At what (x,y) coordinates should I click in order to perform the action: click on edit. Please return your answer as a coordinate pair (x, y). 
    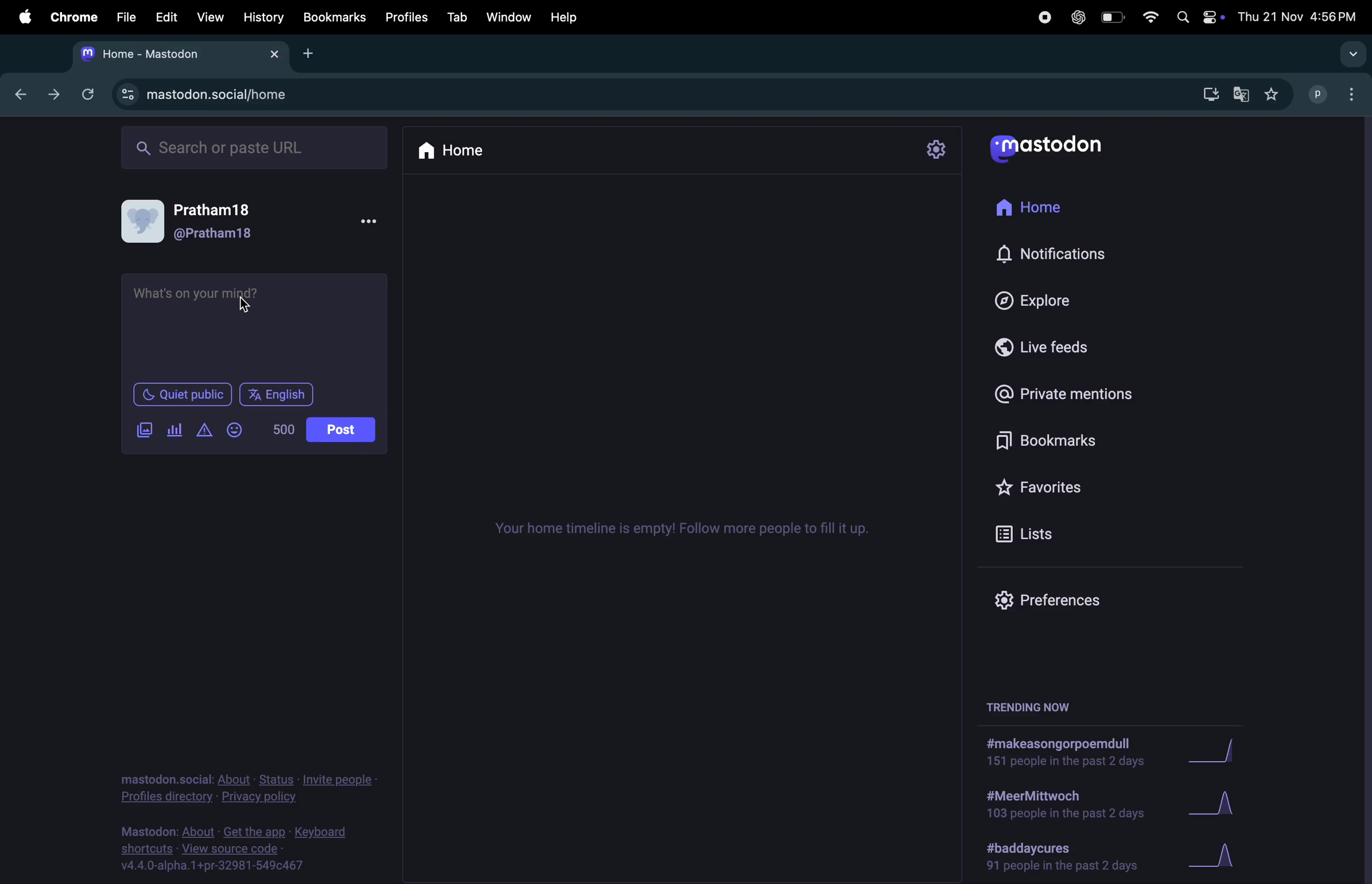
    Looking at the image, I should click on (163, 17).